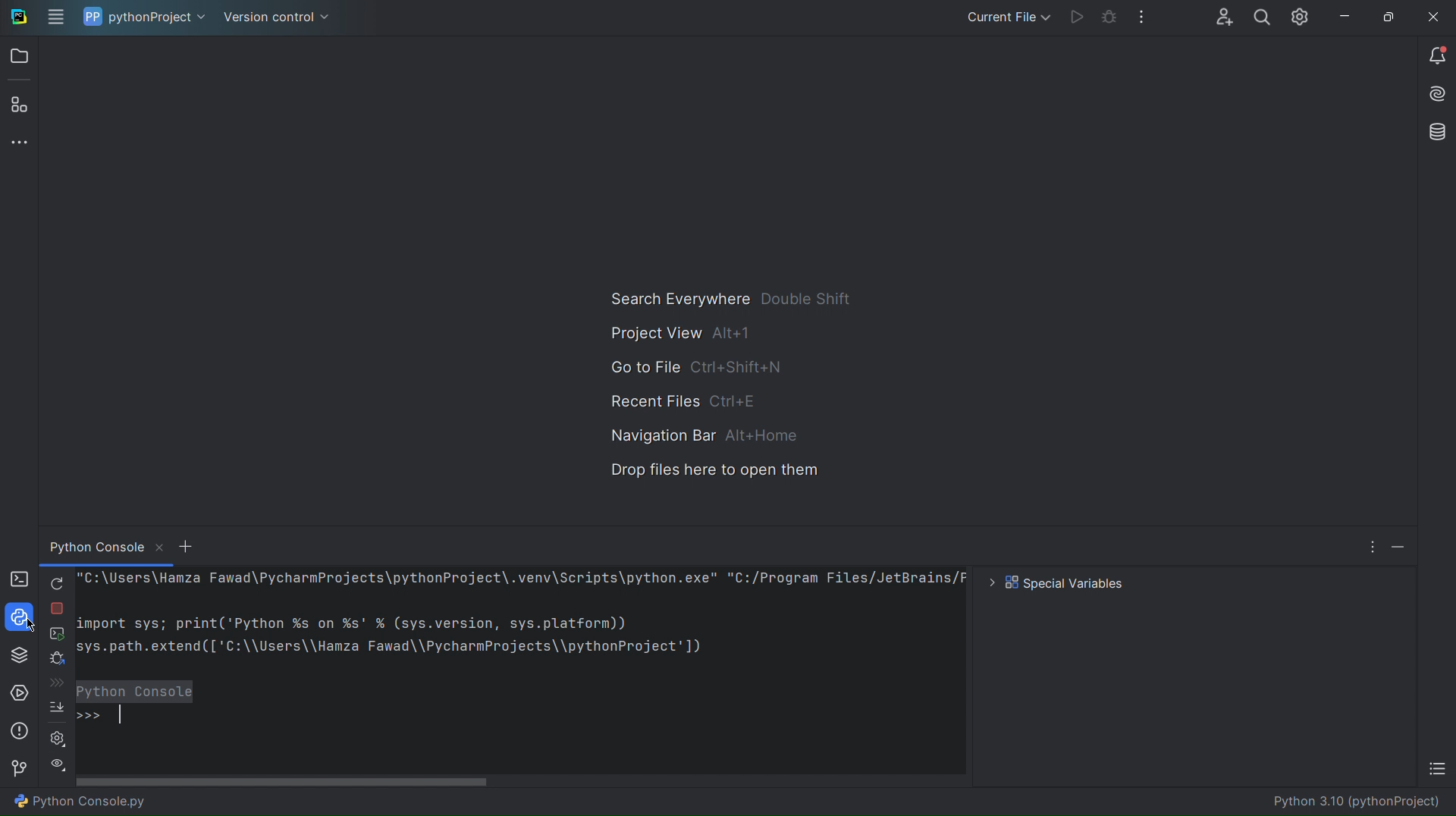  What do you see at coordinates (730, 300) in the screenshot?
I see `Search Everywhere` at bounding box center [730, 300].